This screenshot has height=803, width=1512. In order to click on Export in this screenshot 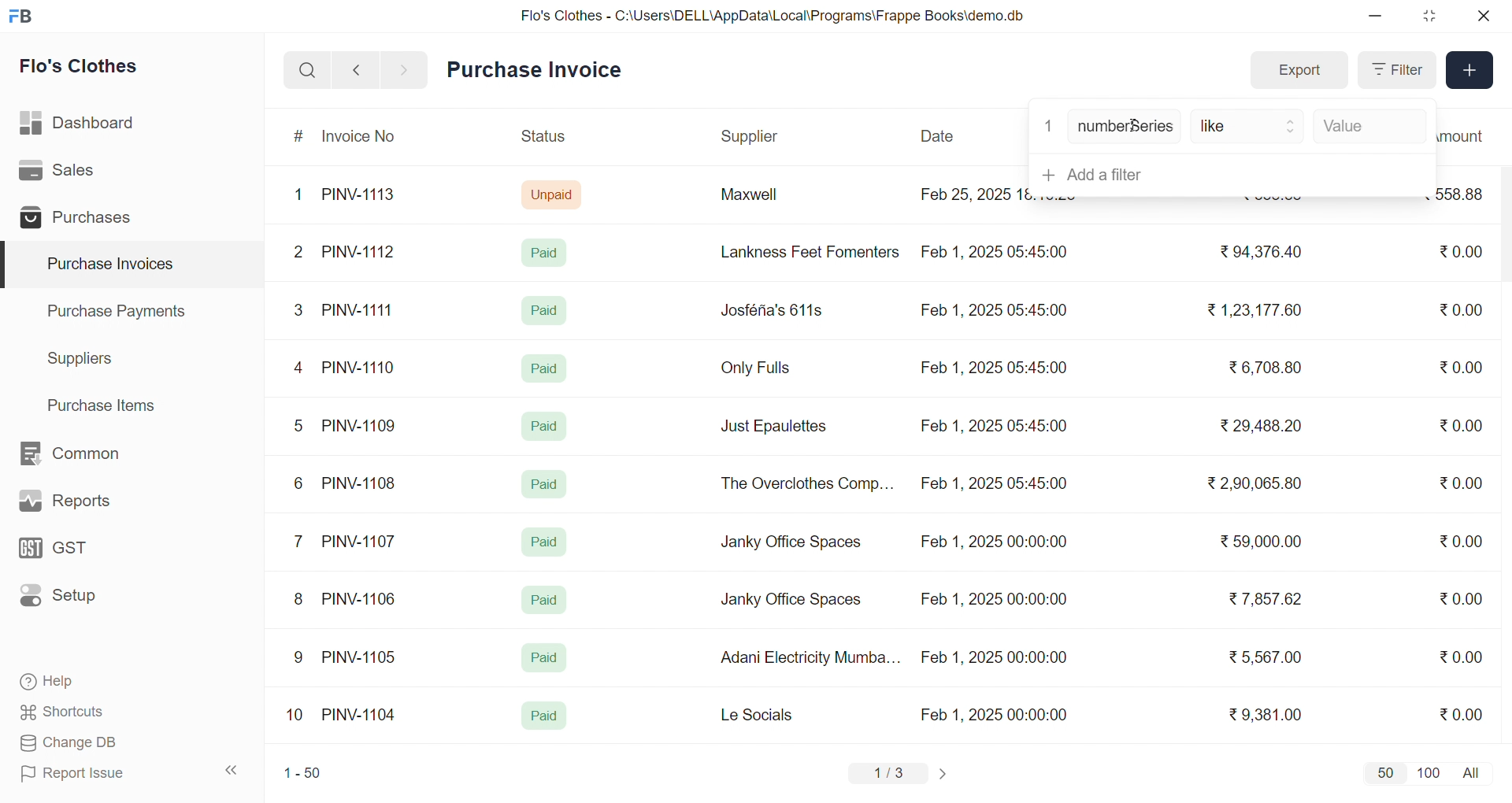, I will do `click(1299, 71)`.